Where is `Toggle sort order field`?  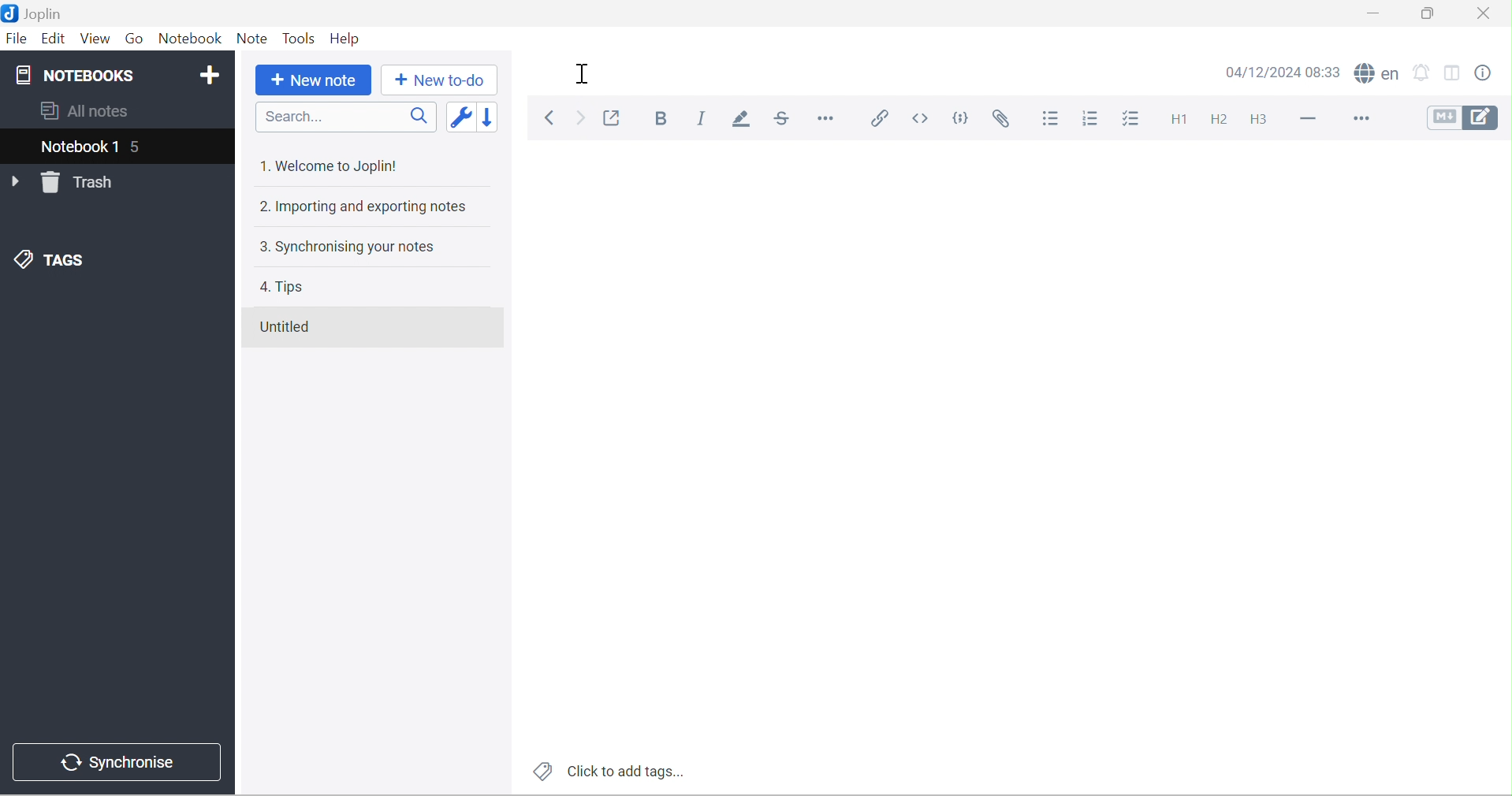 Toggle sort order field is located at coordinates (460, 120).